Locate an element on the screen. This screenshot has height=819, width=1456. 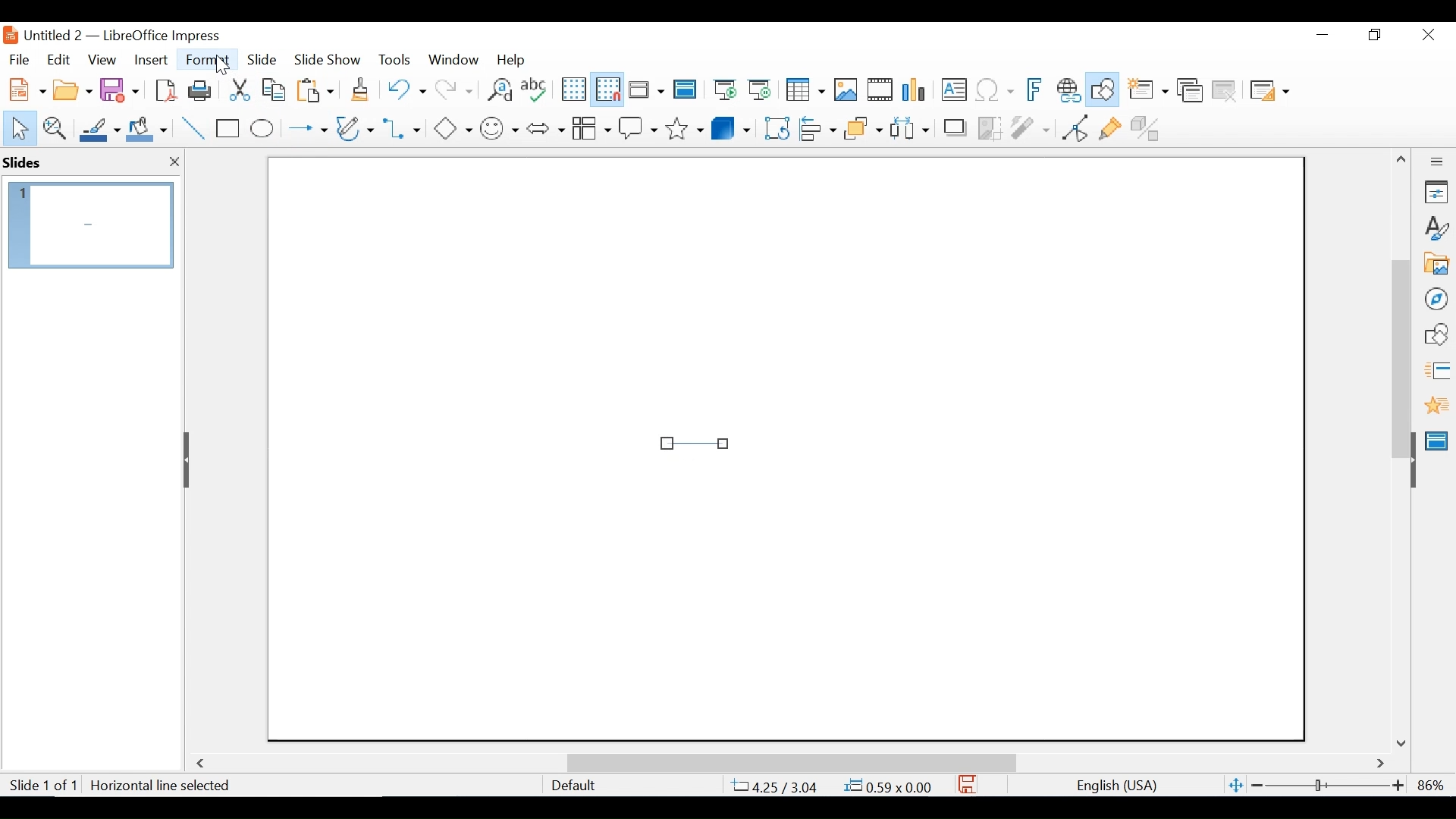
Shadow Image is located at coordinates (956, 127).